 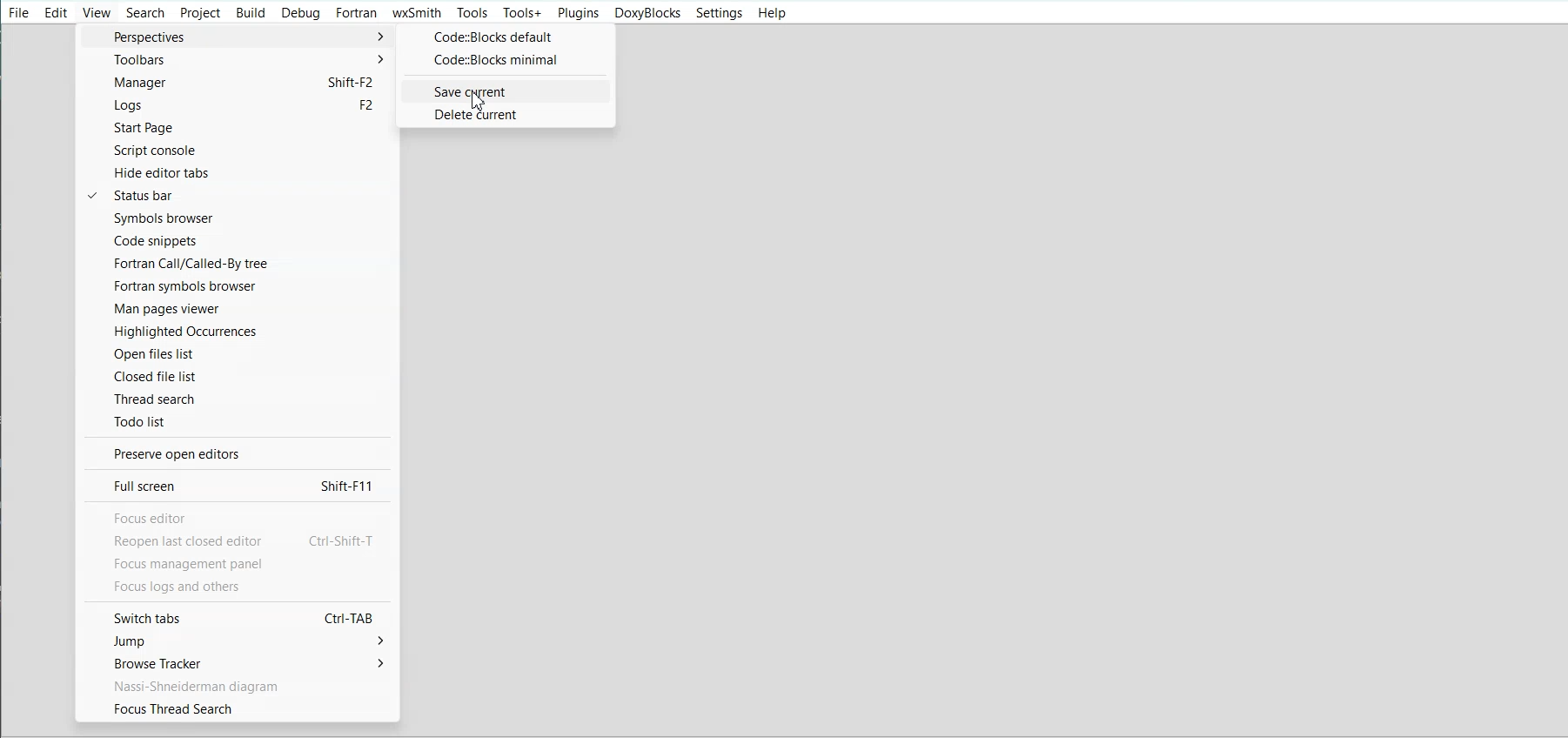 I want to click on Code:: Blocks minimal, so click(x=504, y=62).